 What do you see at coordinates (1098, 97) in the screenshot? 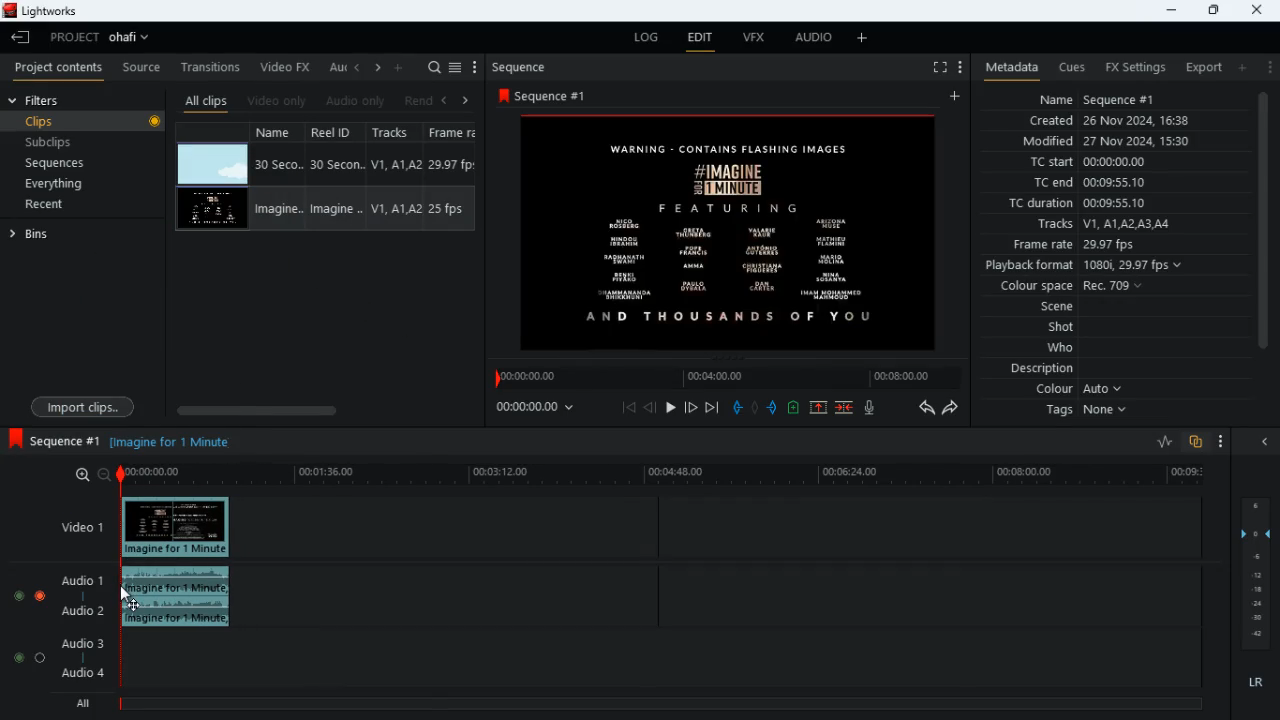
I see `name` at bounding box center [1098, 97].